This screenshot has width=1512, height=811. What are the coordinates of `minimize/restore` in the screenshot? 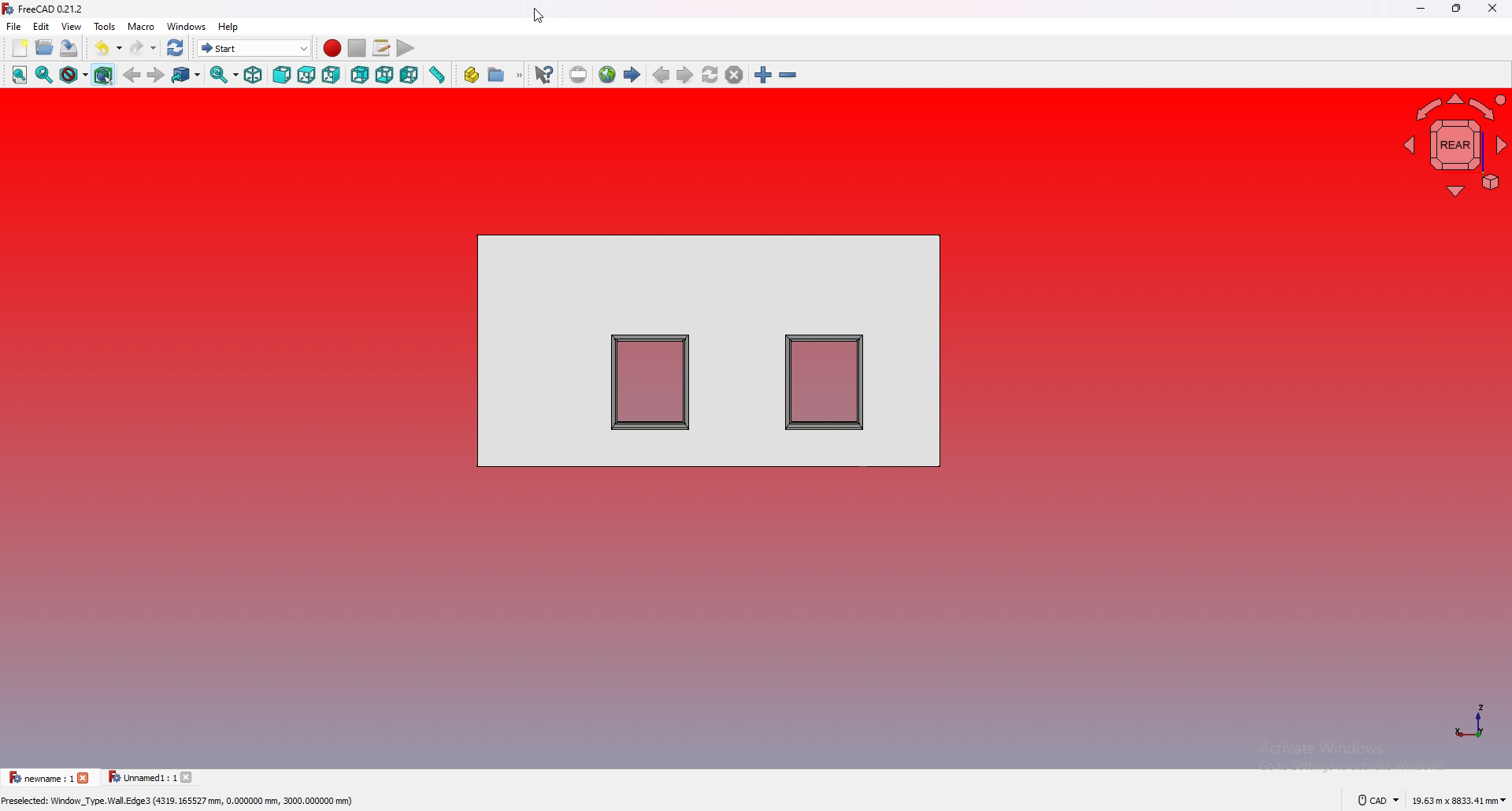 It's located at (1458, 8).